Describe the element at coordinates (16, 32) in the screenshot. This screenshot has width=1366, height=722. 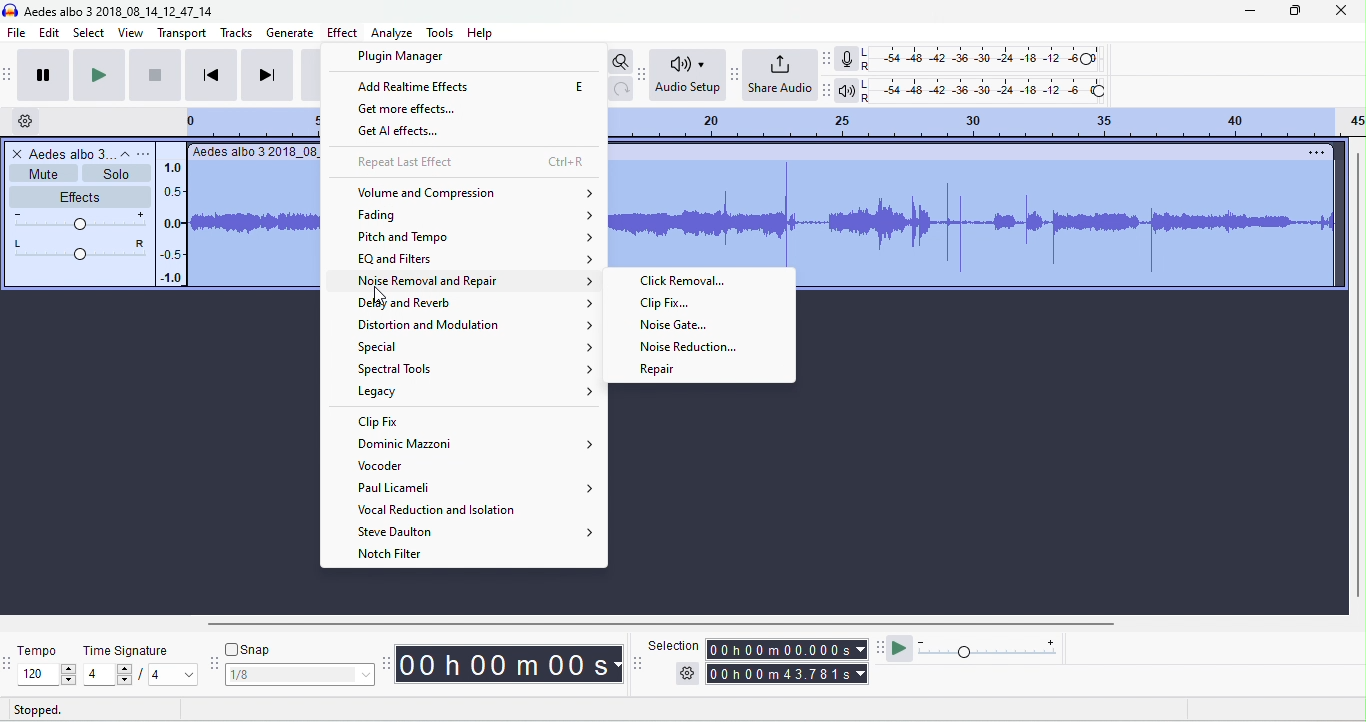
I see `file` at that location.